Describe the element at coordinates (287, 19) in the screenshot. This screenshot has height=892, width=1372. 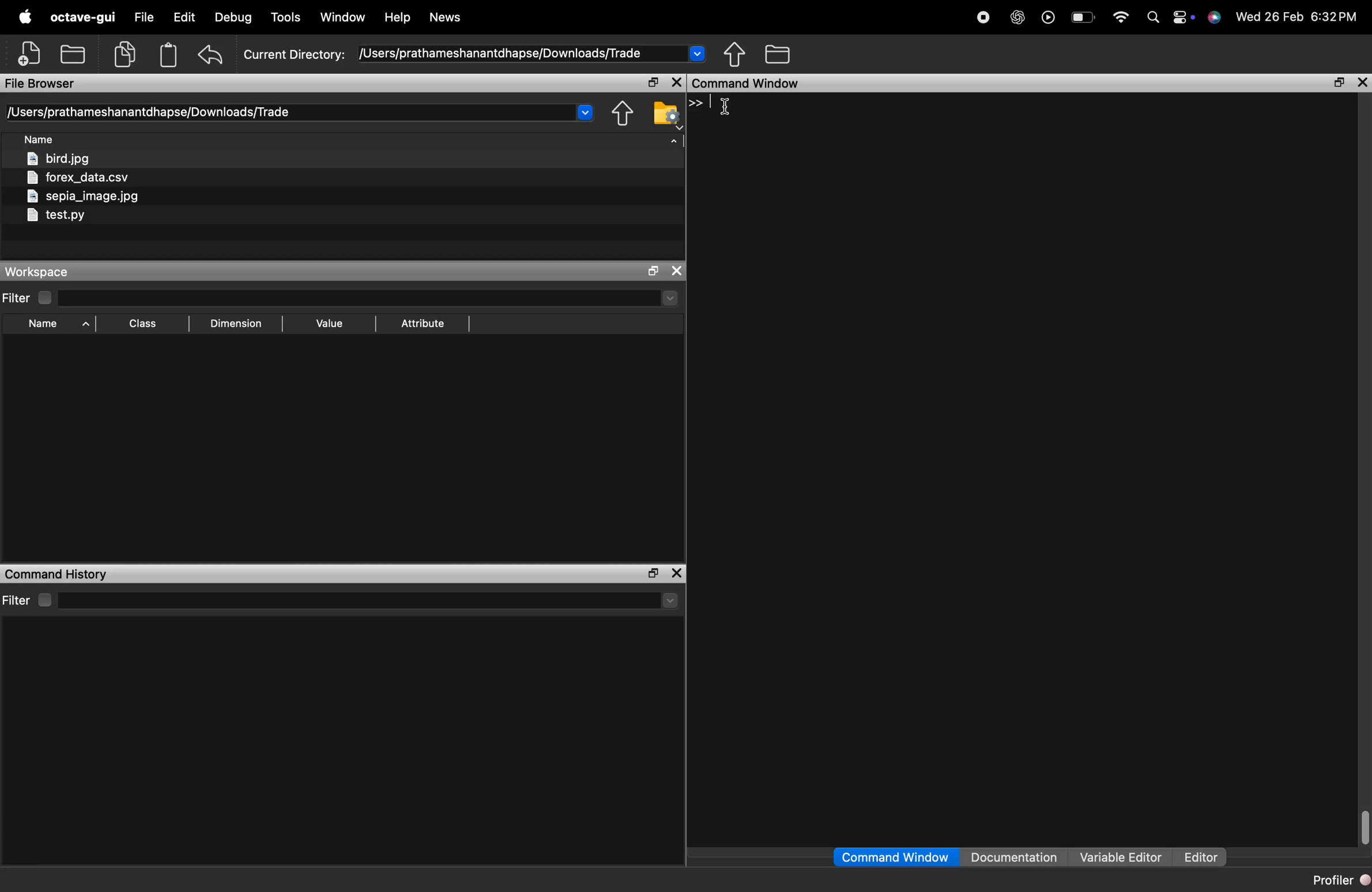
I see `tools` at that location.